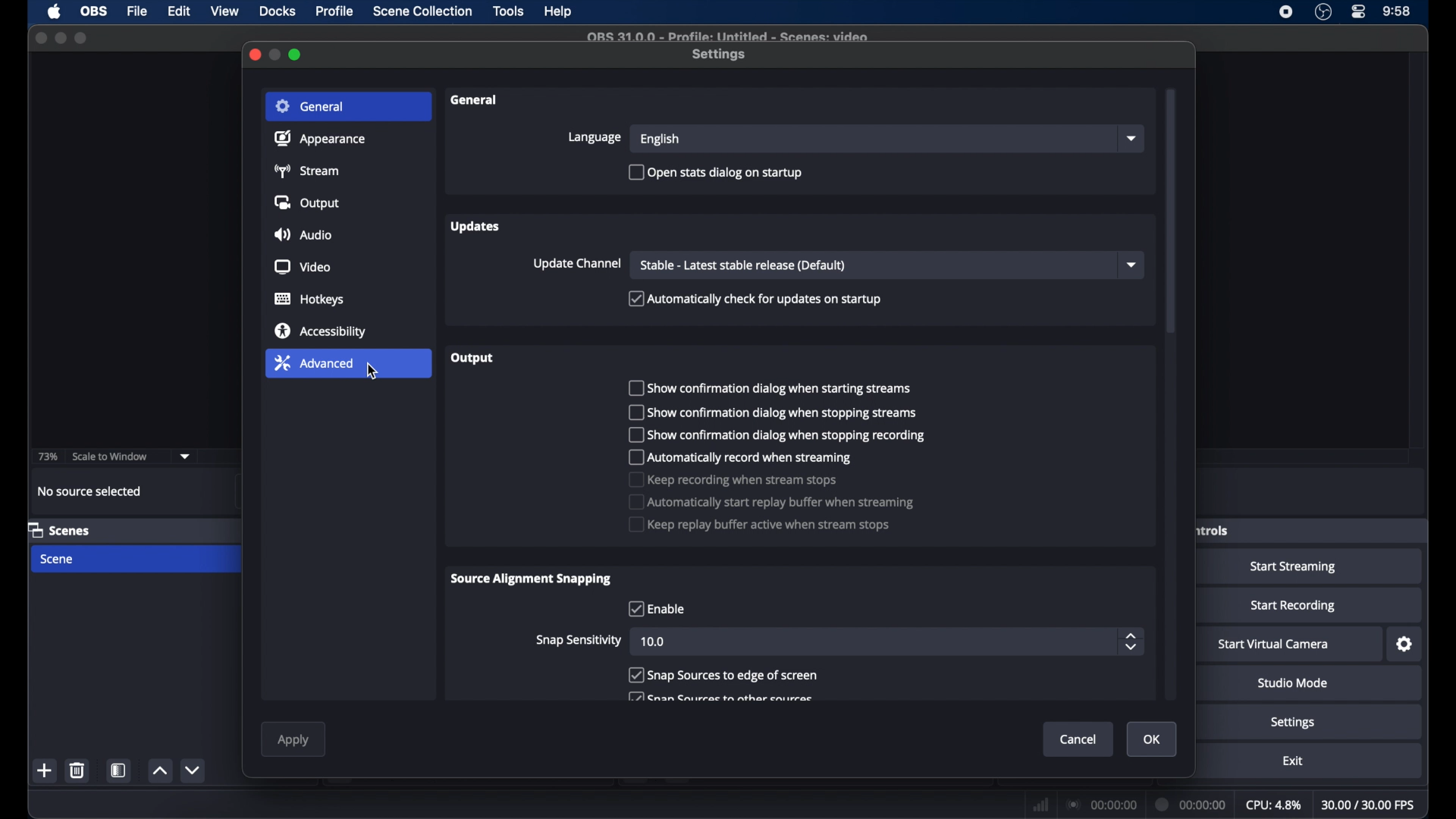 The image size is (1456, 819). I want to click on checkbox, so click(755, 299).